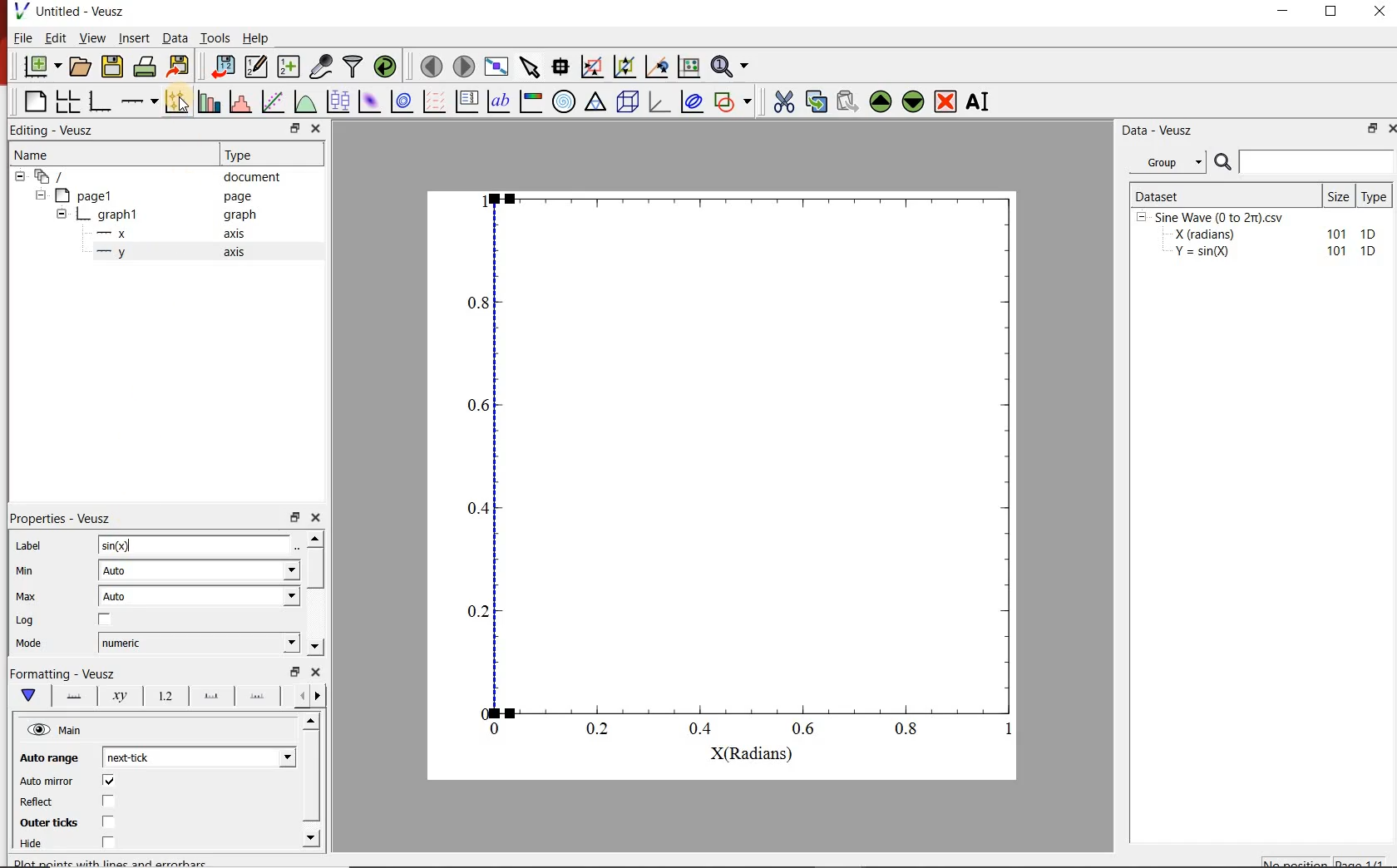 The width and height of the screenshot is (1397, 868). I want to click on go to next page, so click(464, 65).